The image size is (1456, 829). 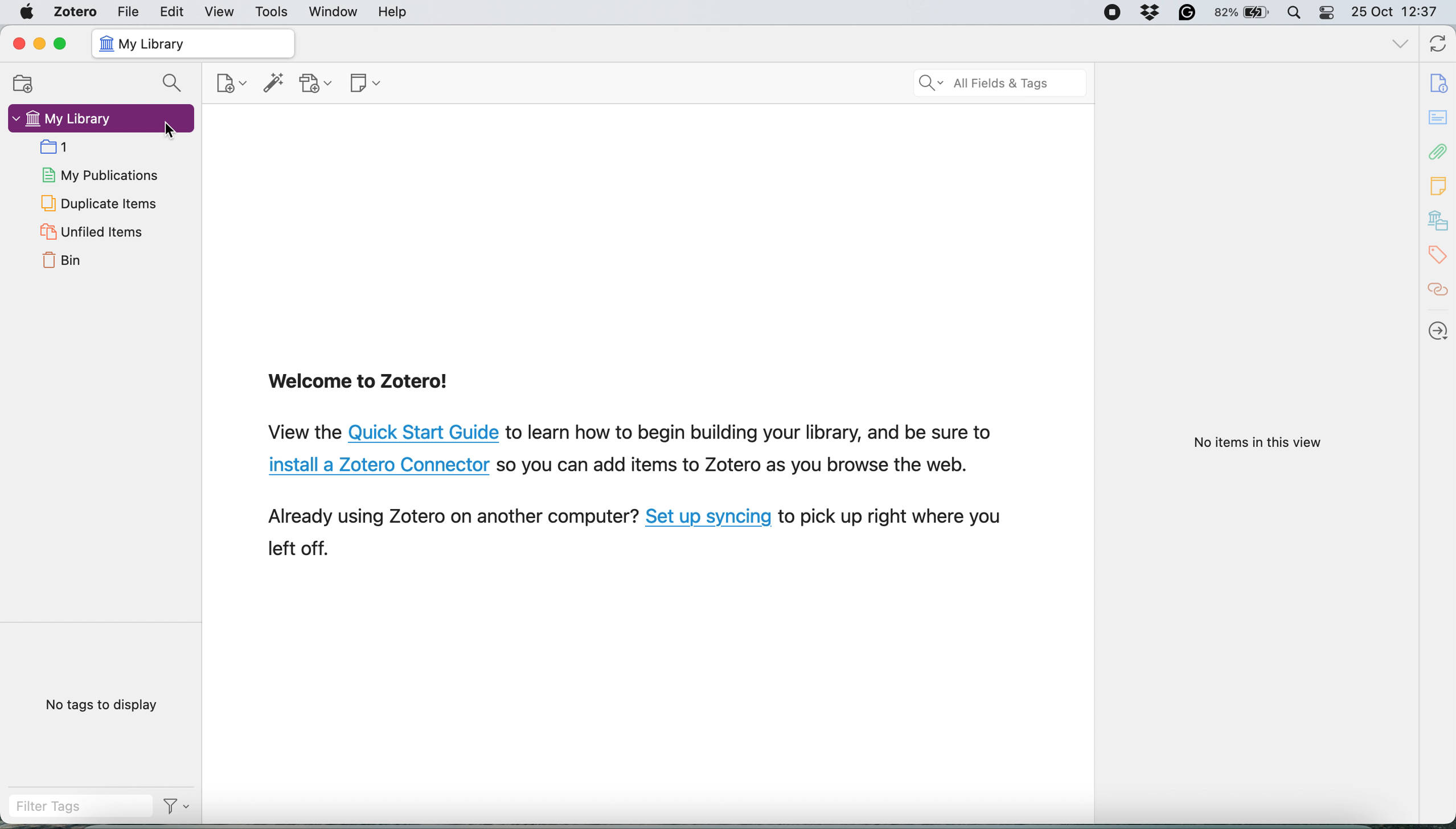 What do you see at coordinates (76, 808) in the screenshot?
I see `filter tags` at bounding box center [76, 808].